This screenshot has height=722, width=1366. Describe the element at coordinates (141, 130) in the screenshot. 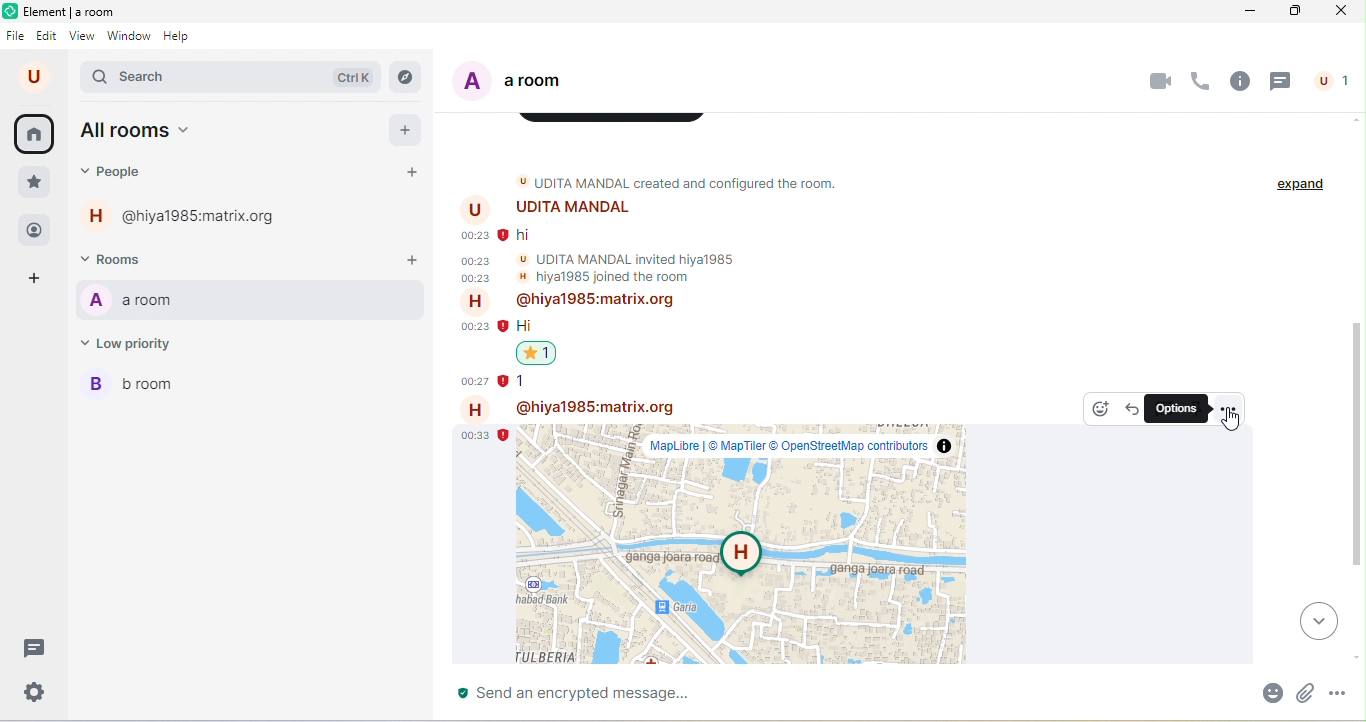

I see `all rooms` at that location.